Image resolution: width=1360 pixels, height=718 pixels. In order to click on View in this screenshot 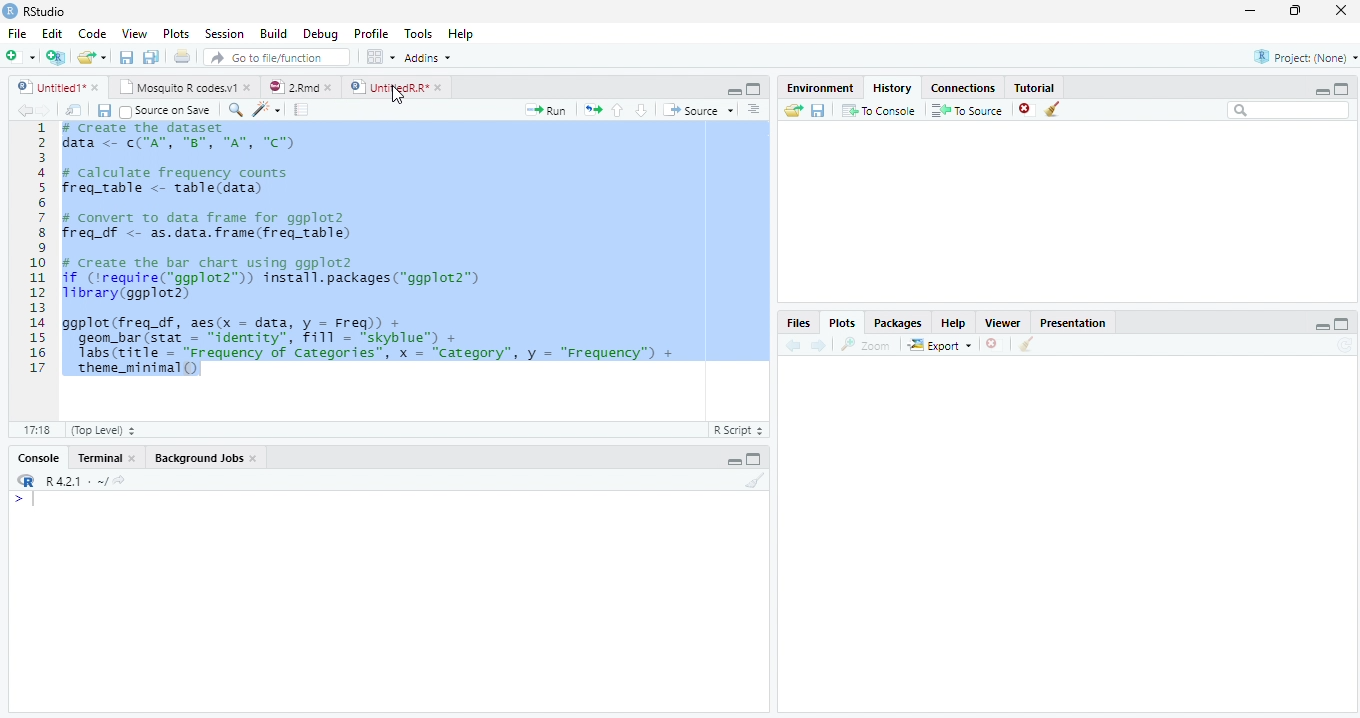, I will do `click(133, 34)`.